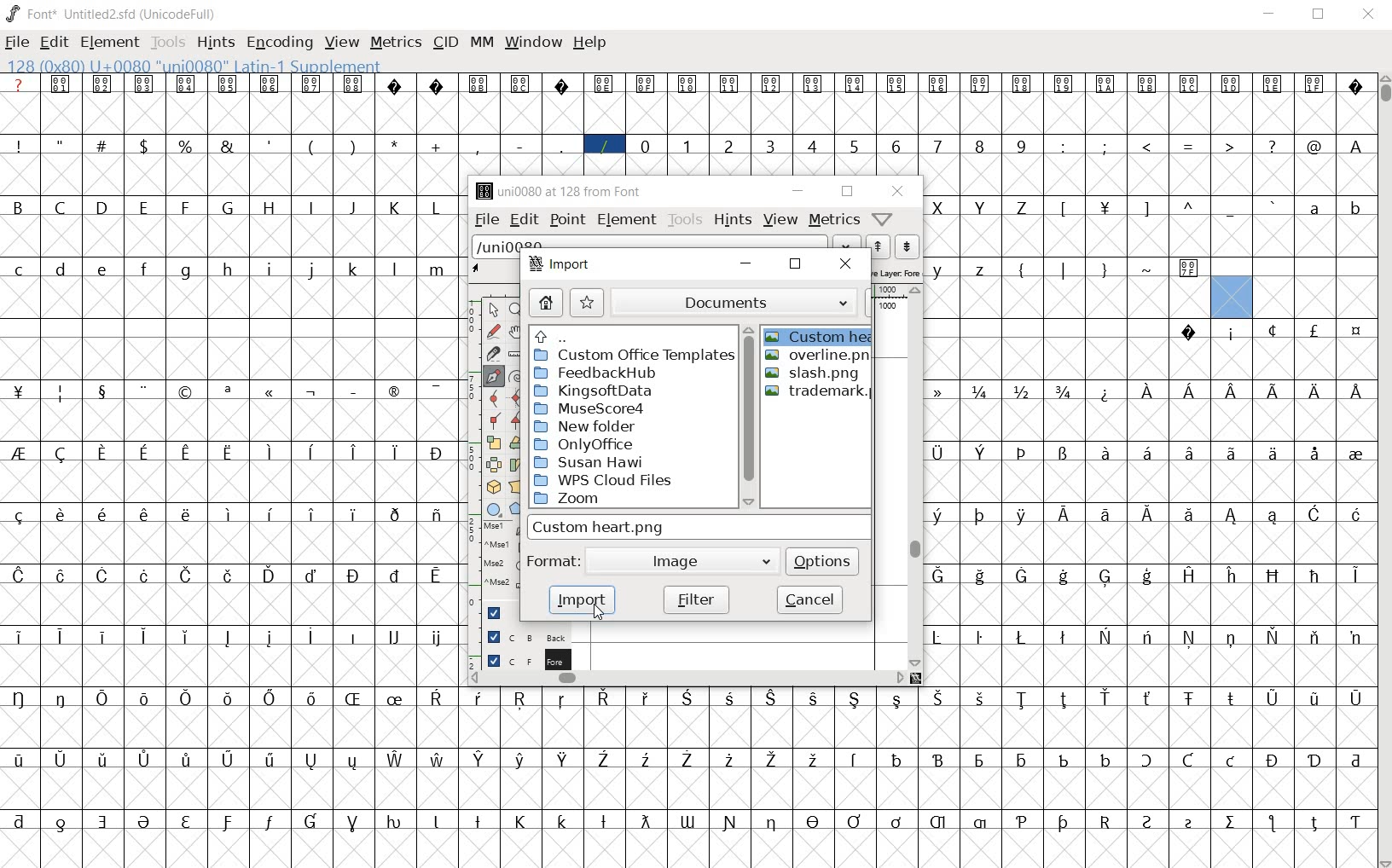 The height and width of the screenshot is (868, 1392). Describe the element at coordinates (436, 697) in the screenshot. I see `glyph` at that location.